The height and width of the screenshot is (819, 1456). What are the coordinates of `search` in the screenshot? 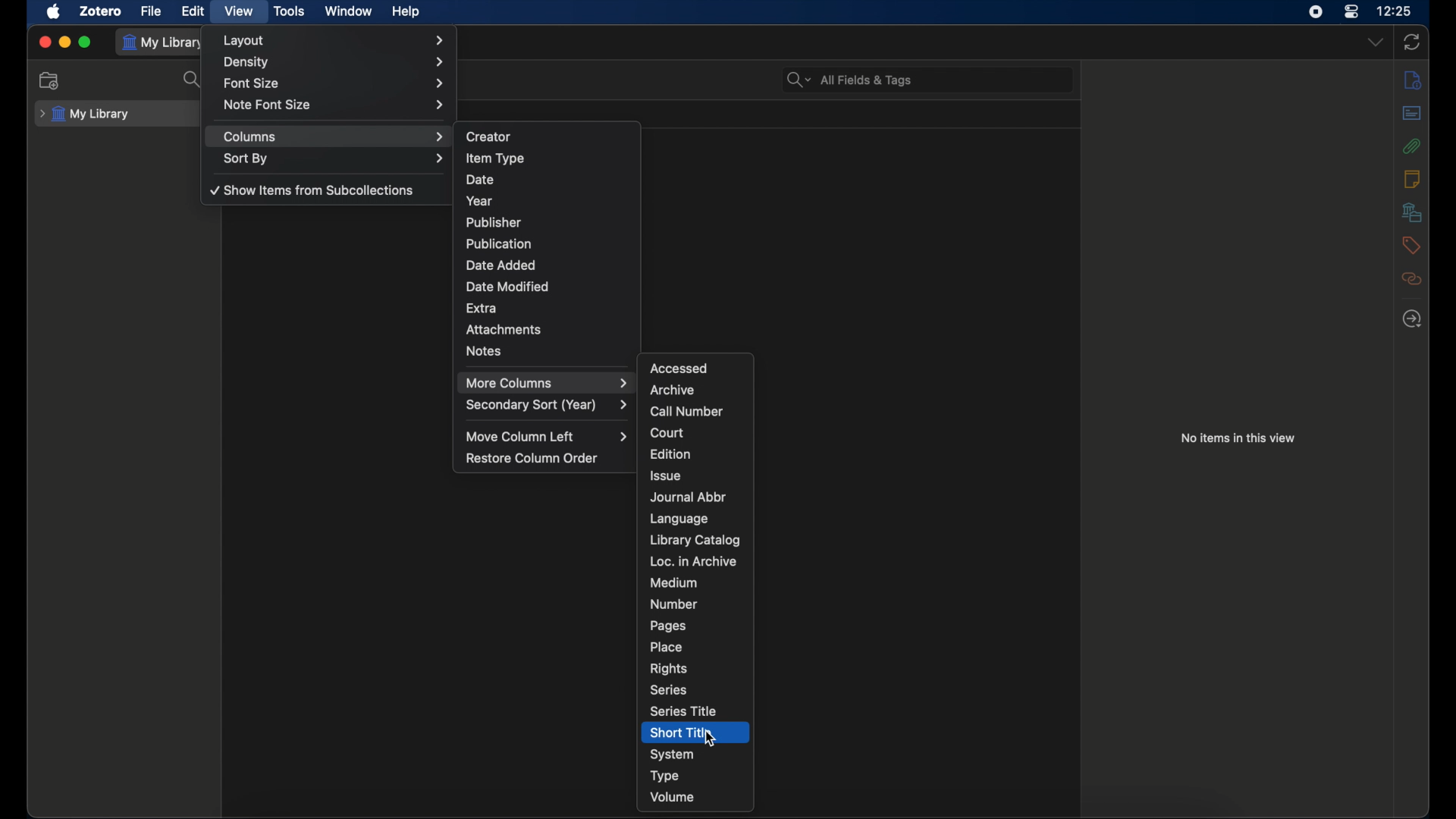 It's located at (192, 80).